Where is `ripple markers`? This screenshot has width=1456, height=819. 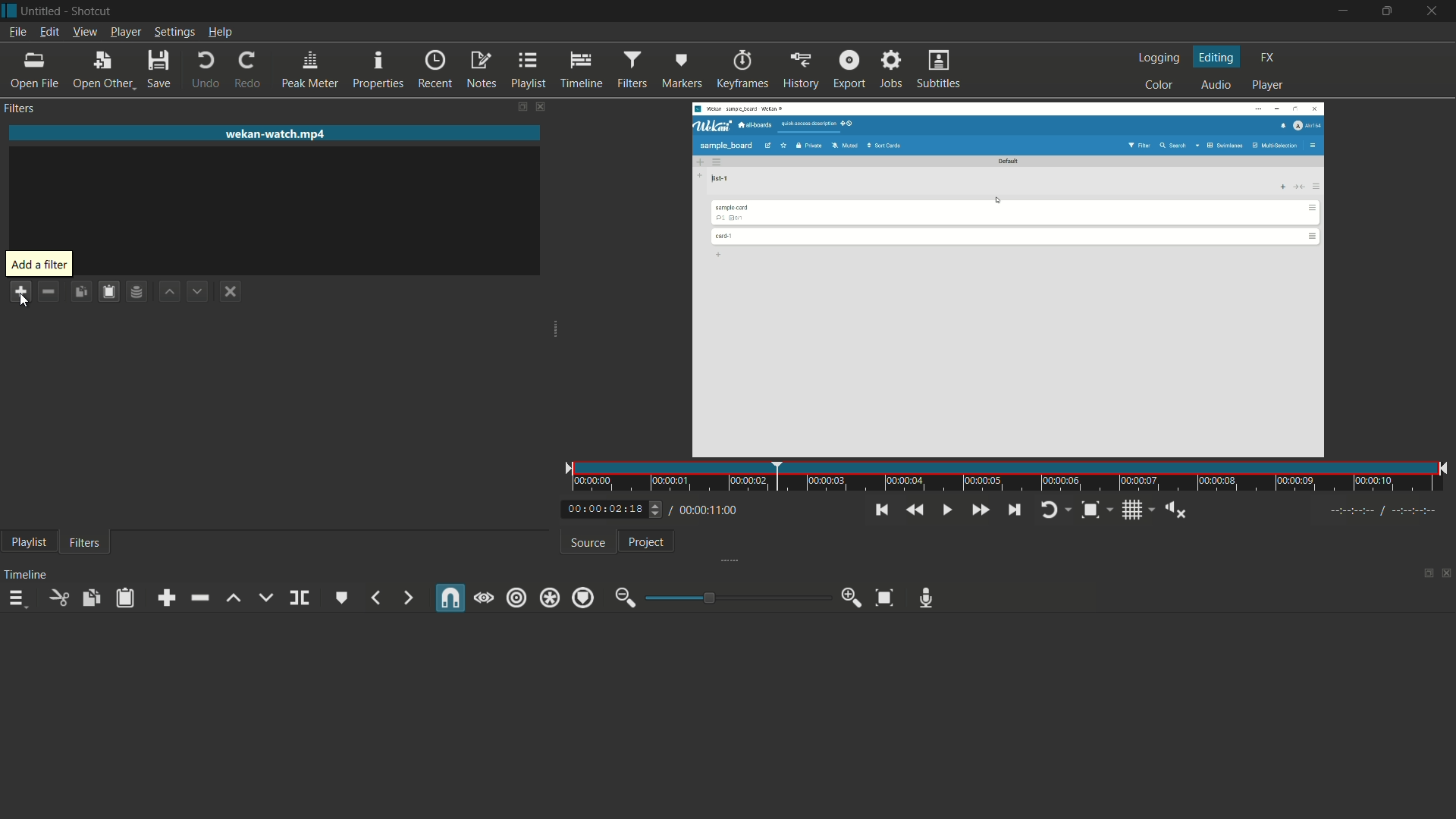 ripple markers is located at coordinates (584, 597).